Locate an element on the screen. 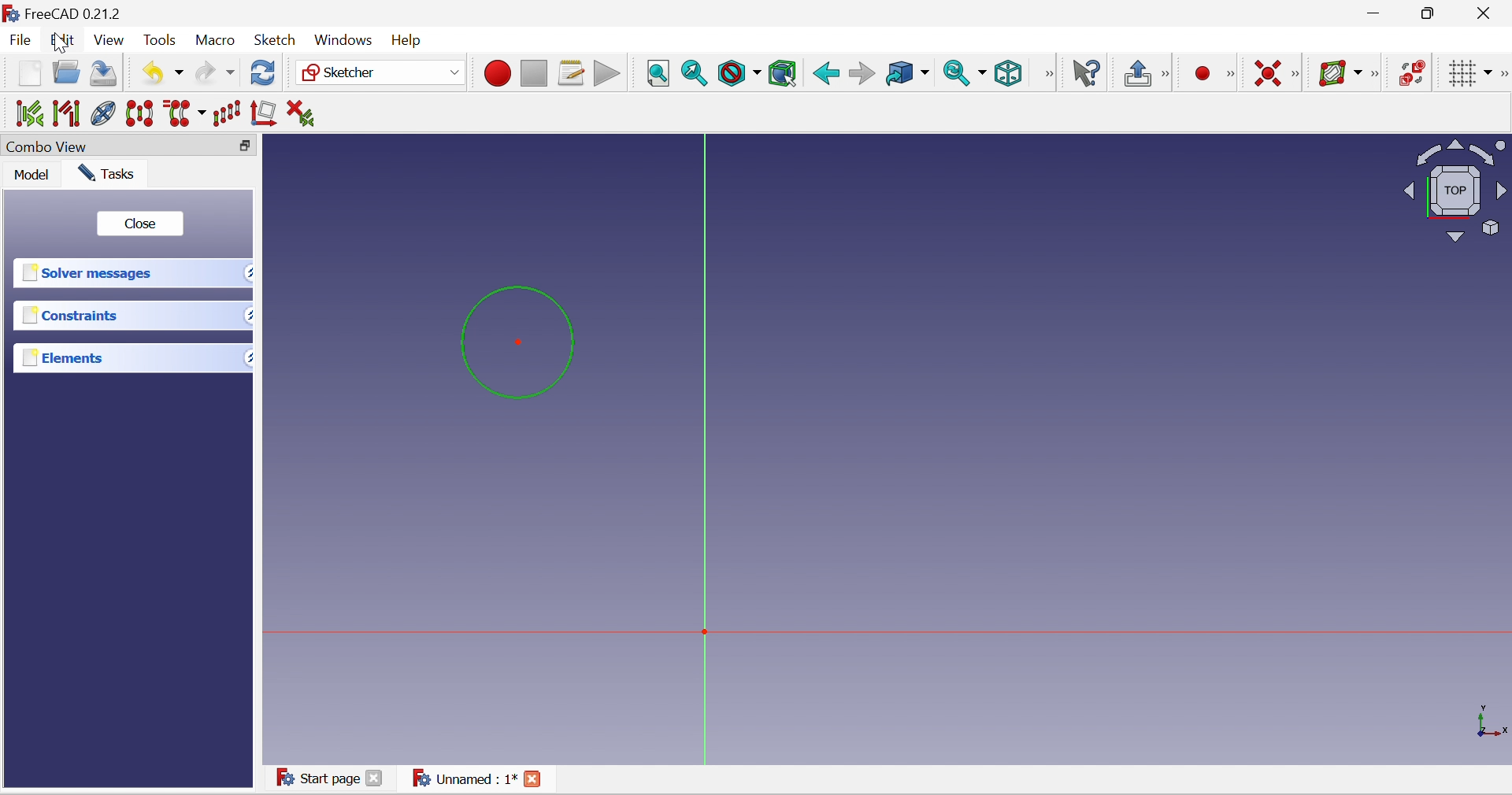 The width and height of the screenshot is (1512, 795). Fit all is located at coordinates (657, 73).